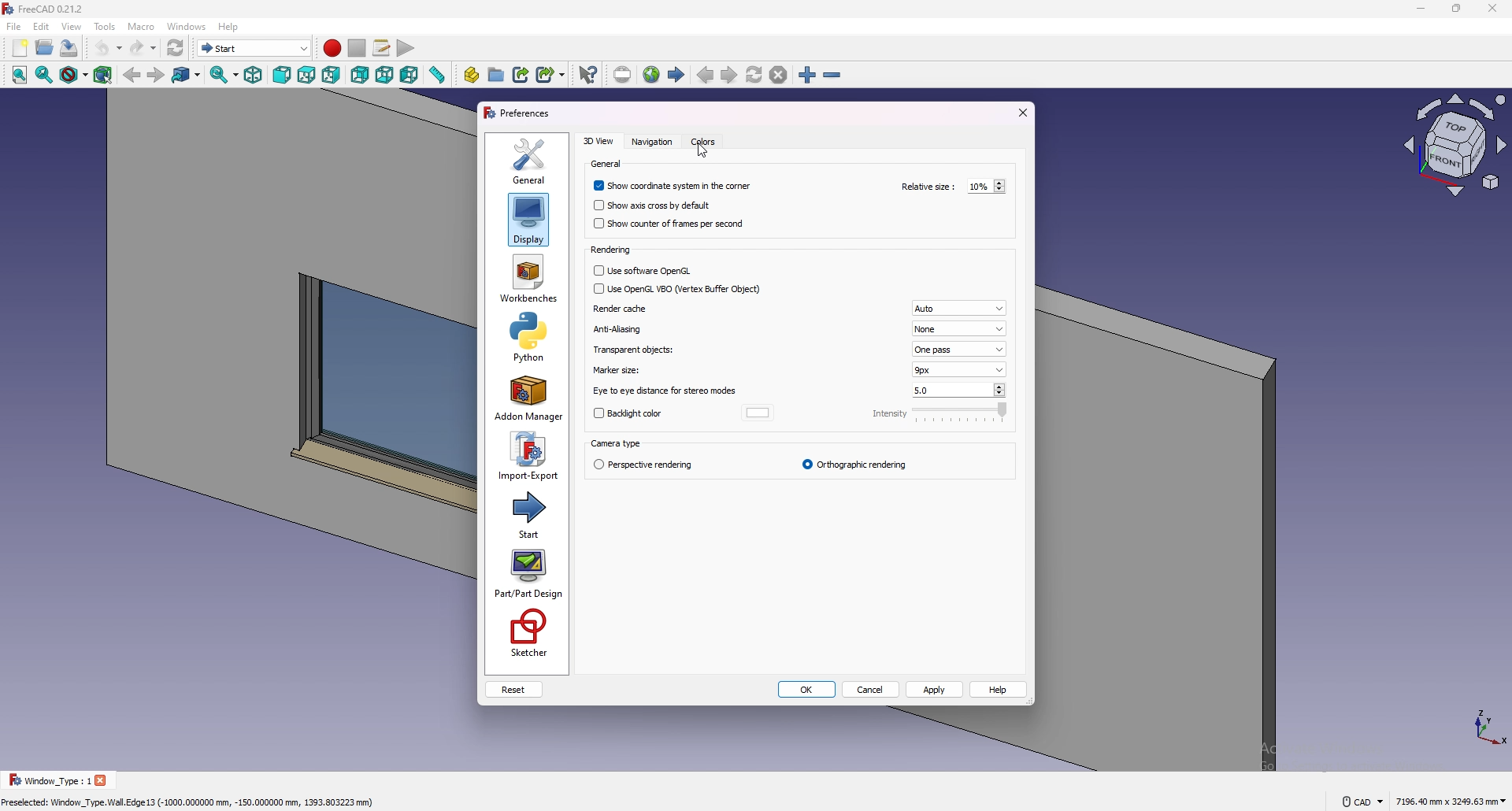 The width and height of the screenshot is (1512, 811). I want to click on anti aliasing, so click(621, 330).